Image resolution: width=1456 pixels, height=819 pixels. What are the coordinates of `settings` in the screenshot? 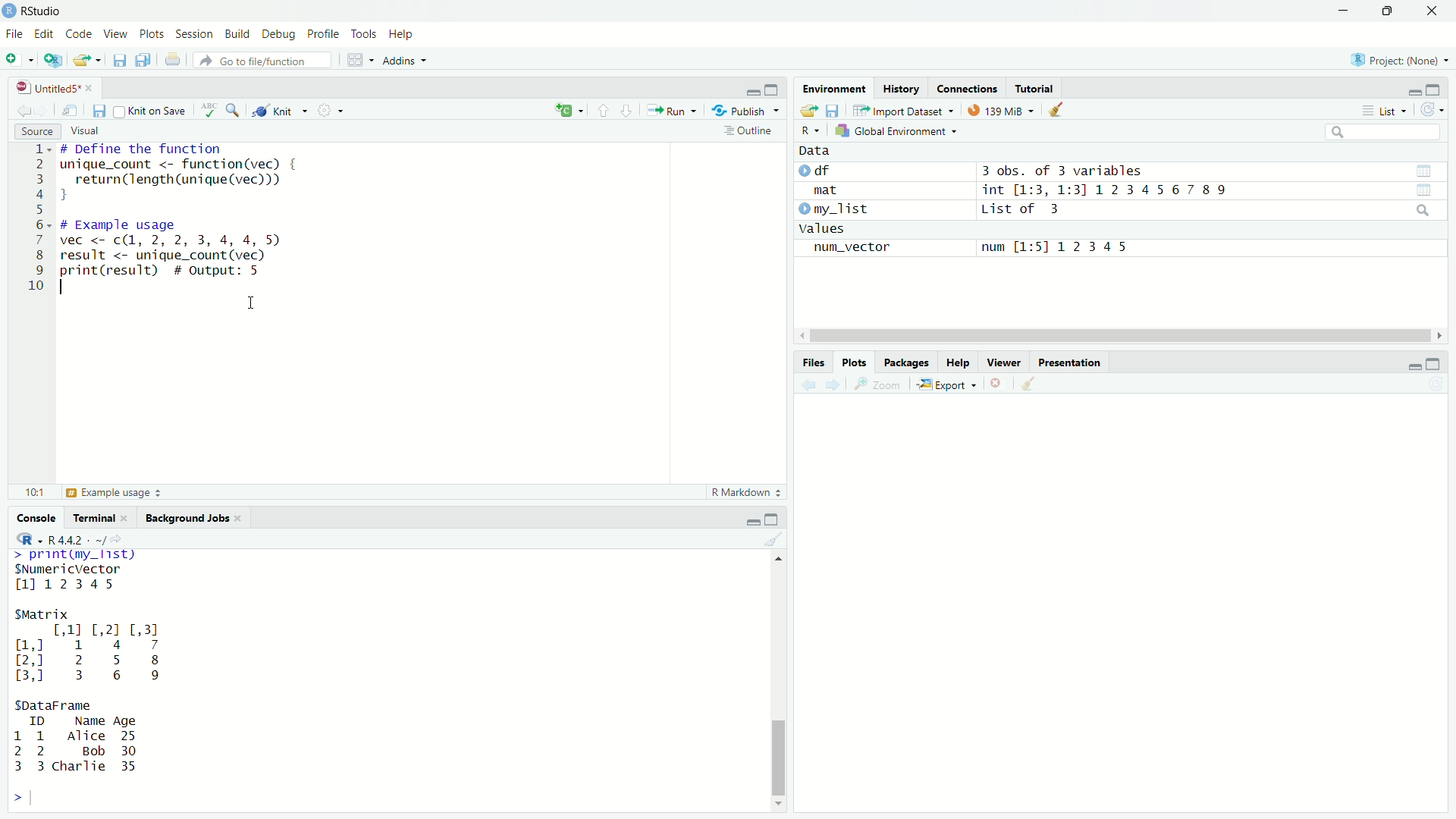 It's located at (328, 110).